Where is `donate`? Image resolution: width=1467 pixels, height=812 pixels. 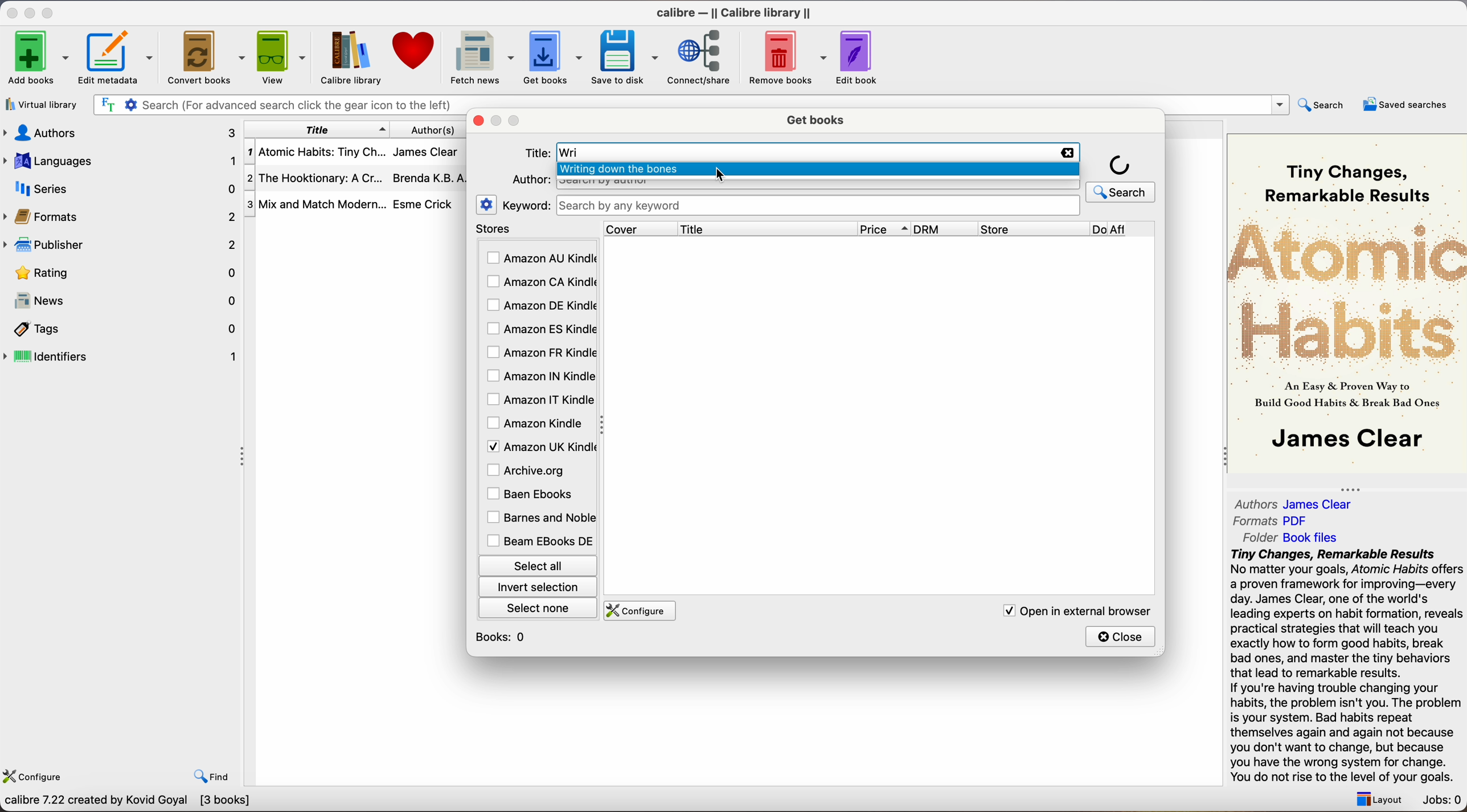
donate is located at coordinates (415, 51).